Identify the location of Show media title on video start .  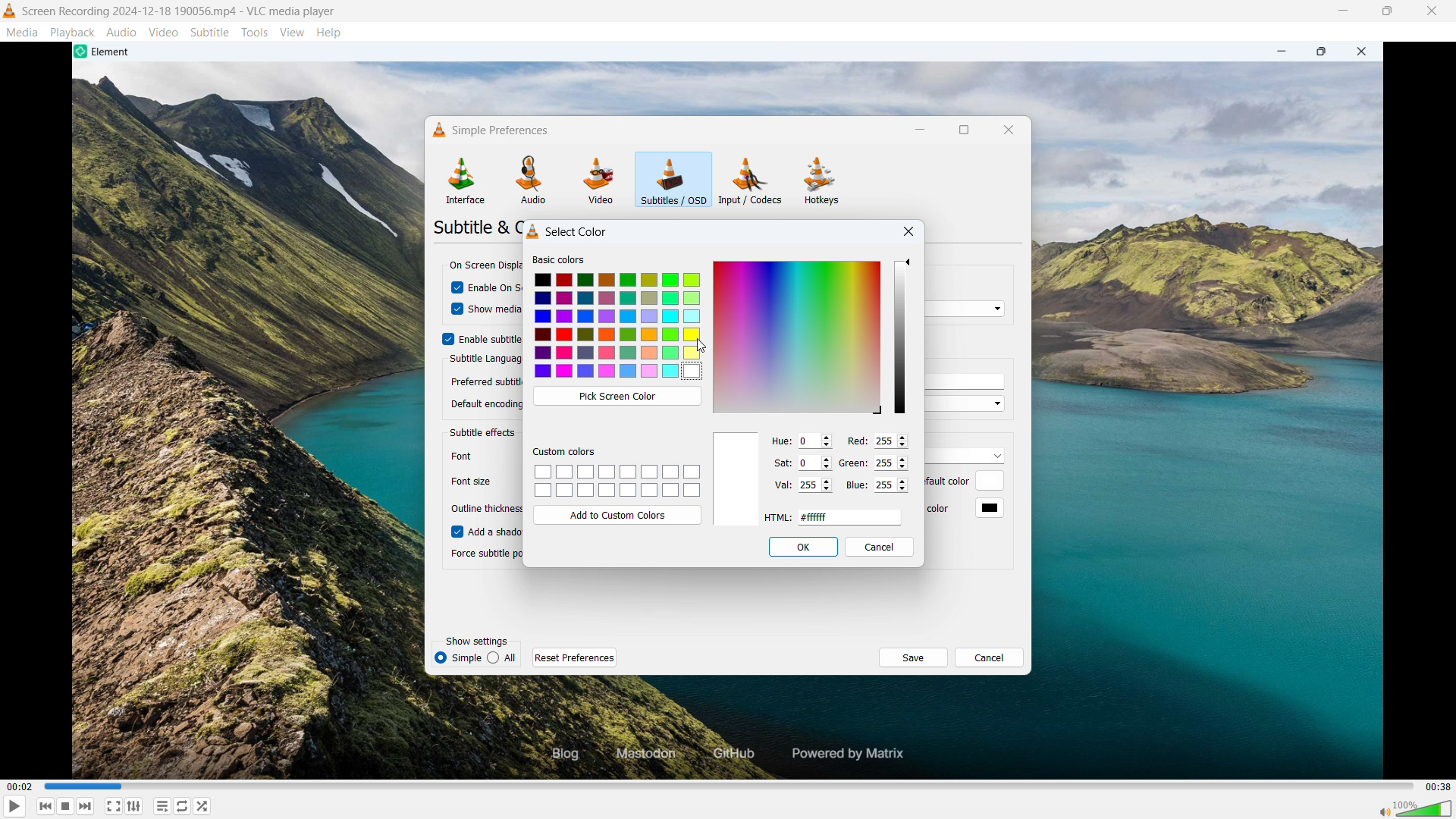
(495, 309).